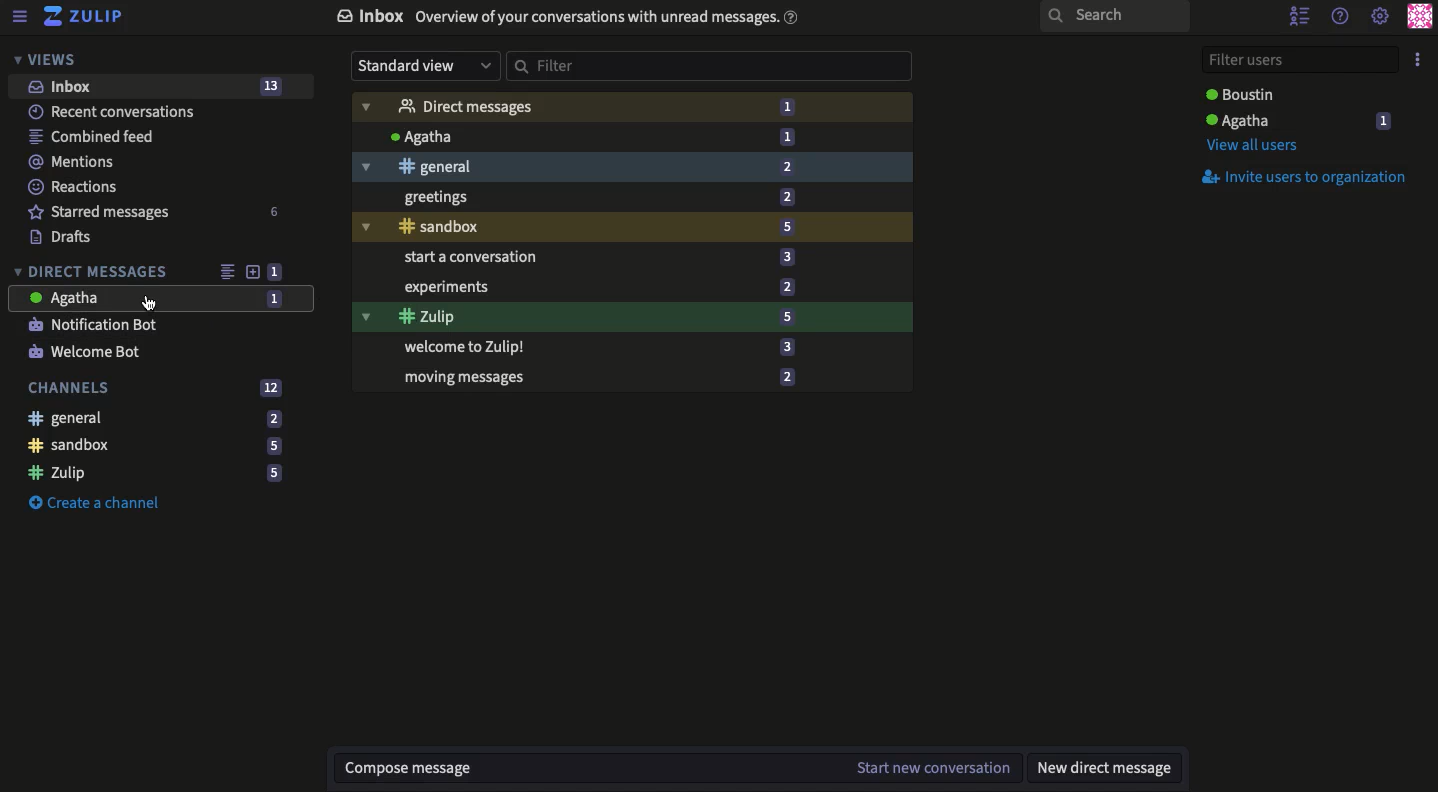 The width and height of the screenshot is (1438, 792). Describe the element at coordinates (149, 304) in the screenshot. I see `cursor` at that location.